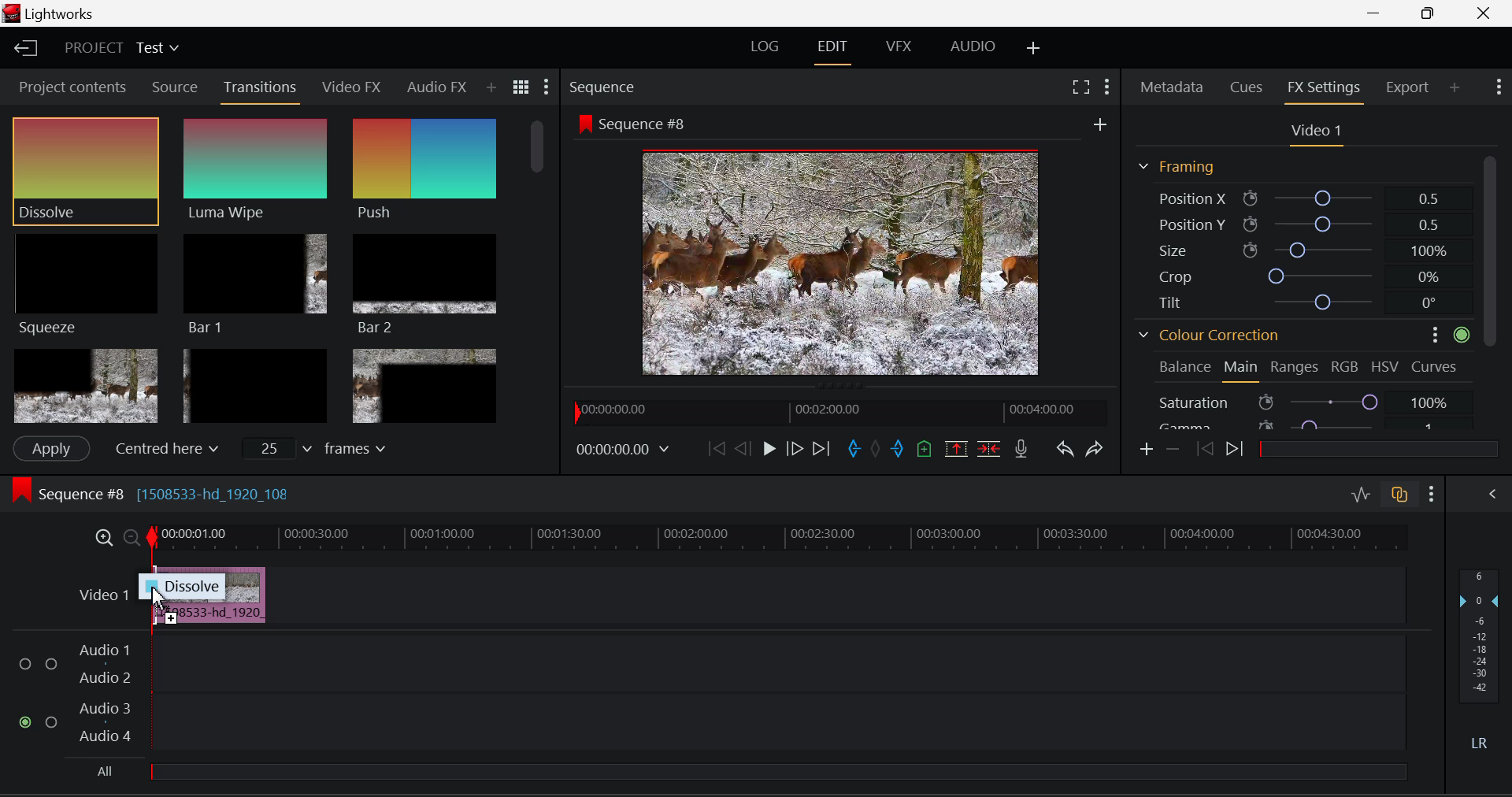  I want to click on Gamma, so click(1298, 424).